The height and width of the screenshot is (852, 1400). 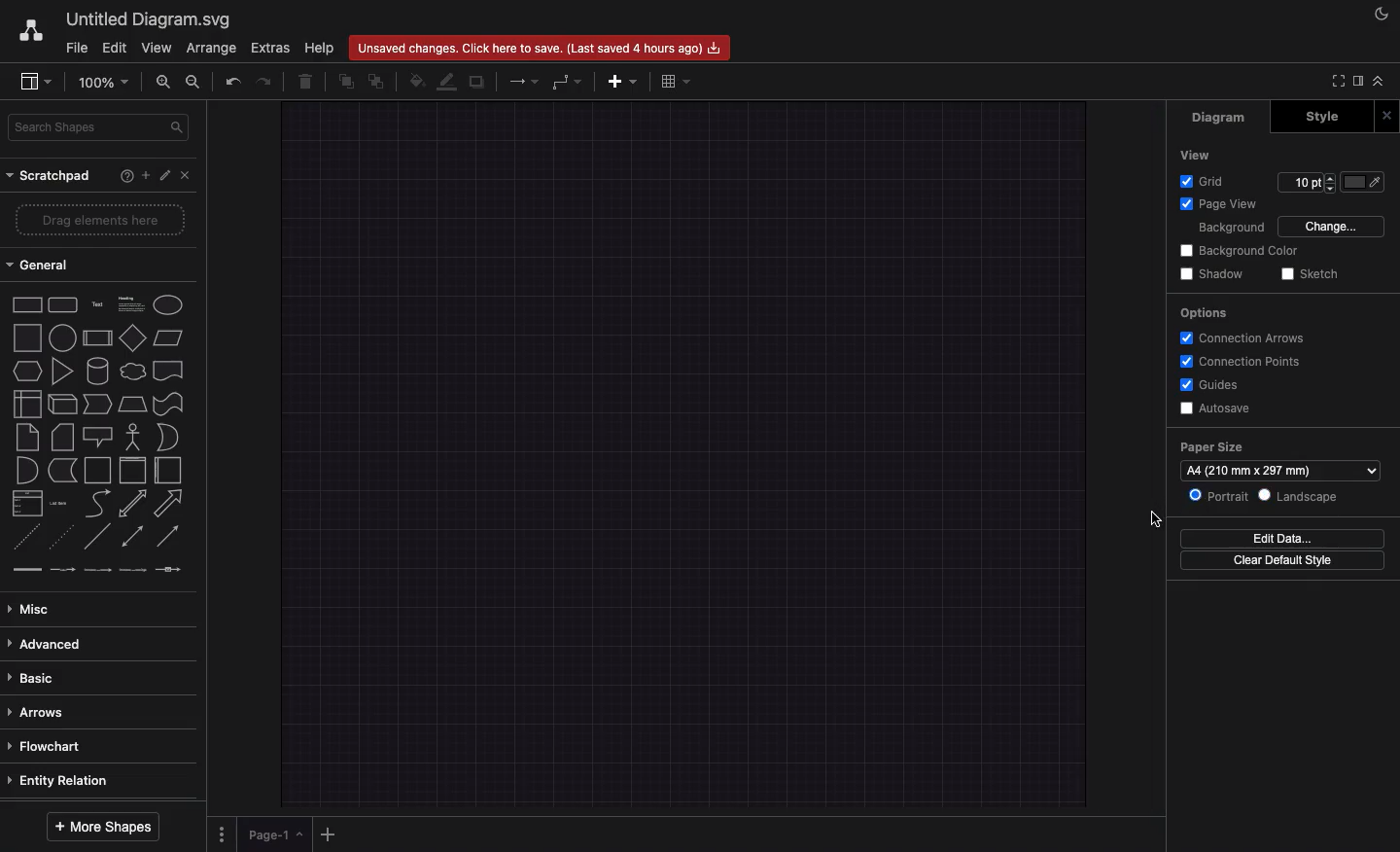 I want to click on Help, so click(x=118, y=177).